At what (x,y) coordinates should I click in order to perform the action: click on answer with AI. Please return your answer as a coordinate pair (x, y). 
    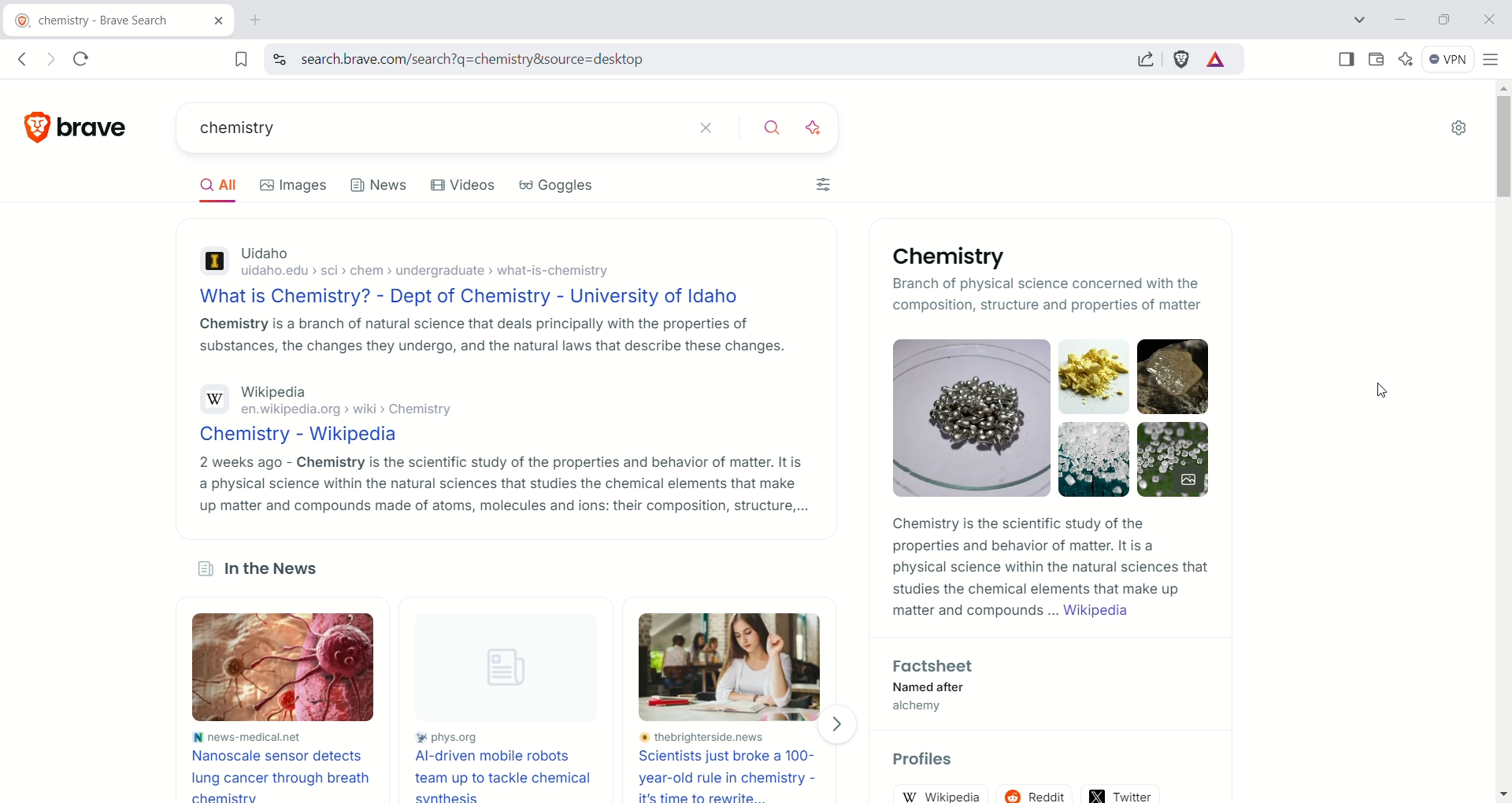
    Looking at the image, I should click on (823, 125).